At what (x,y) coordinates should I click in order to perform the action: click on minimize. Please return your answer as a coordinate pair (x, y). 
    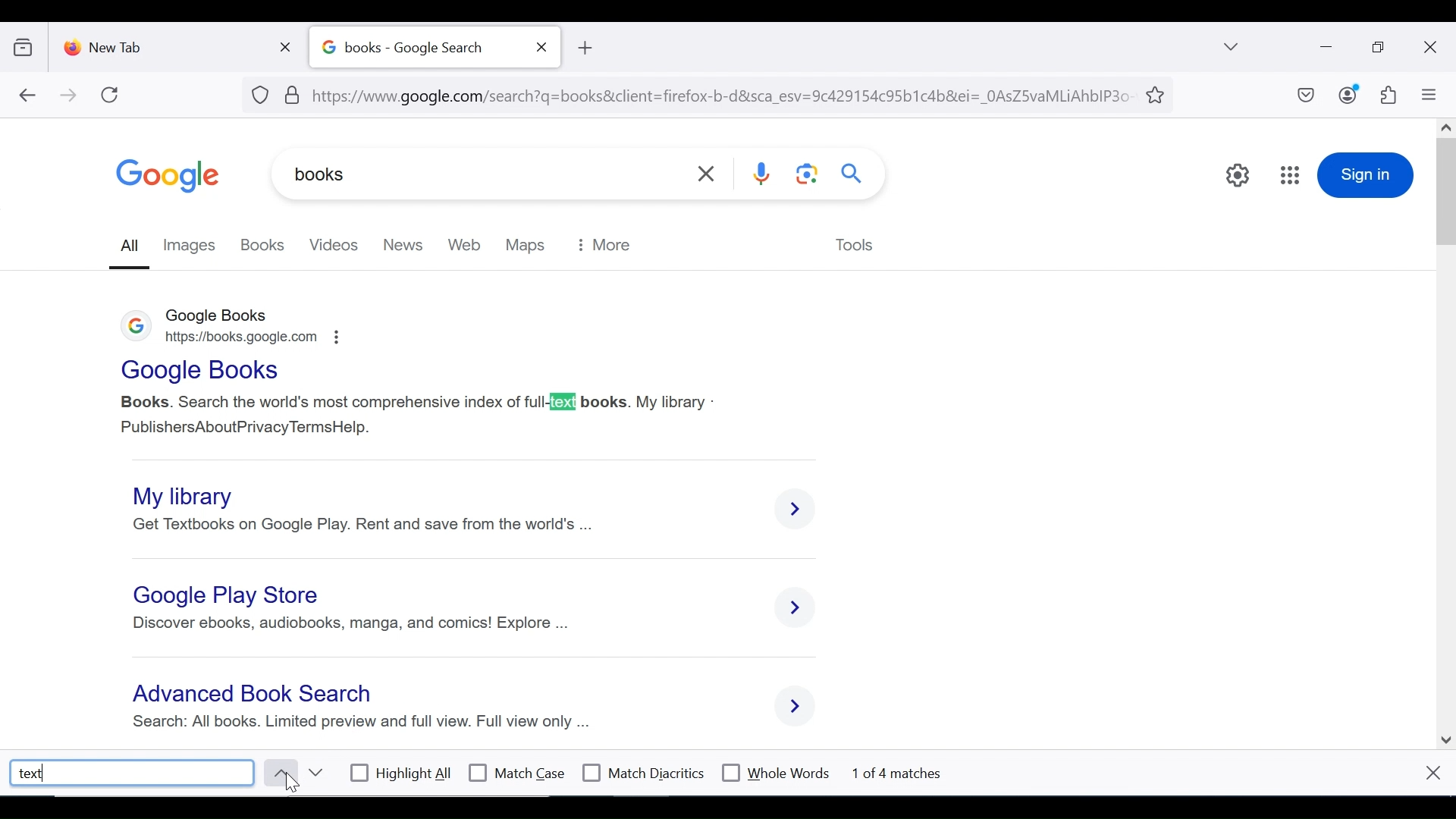
    Looking at the image, I should click on (1324, 45).